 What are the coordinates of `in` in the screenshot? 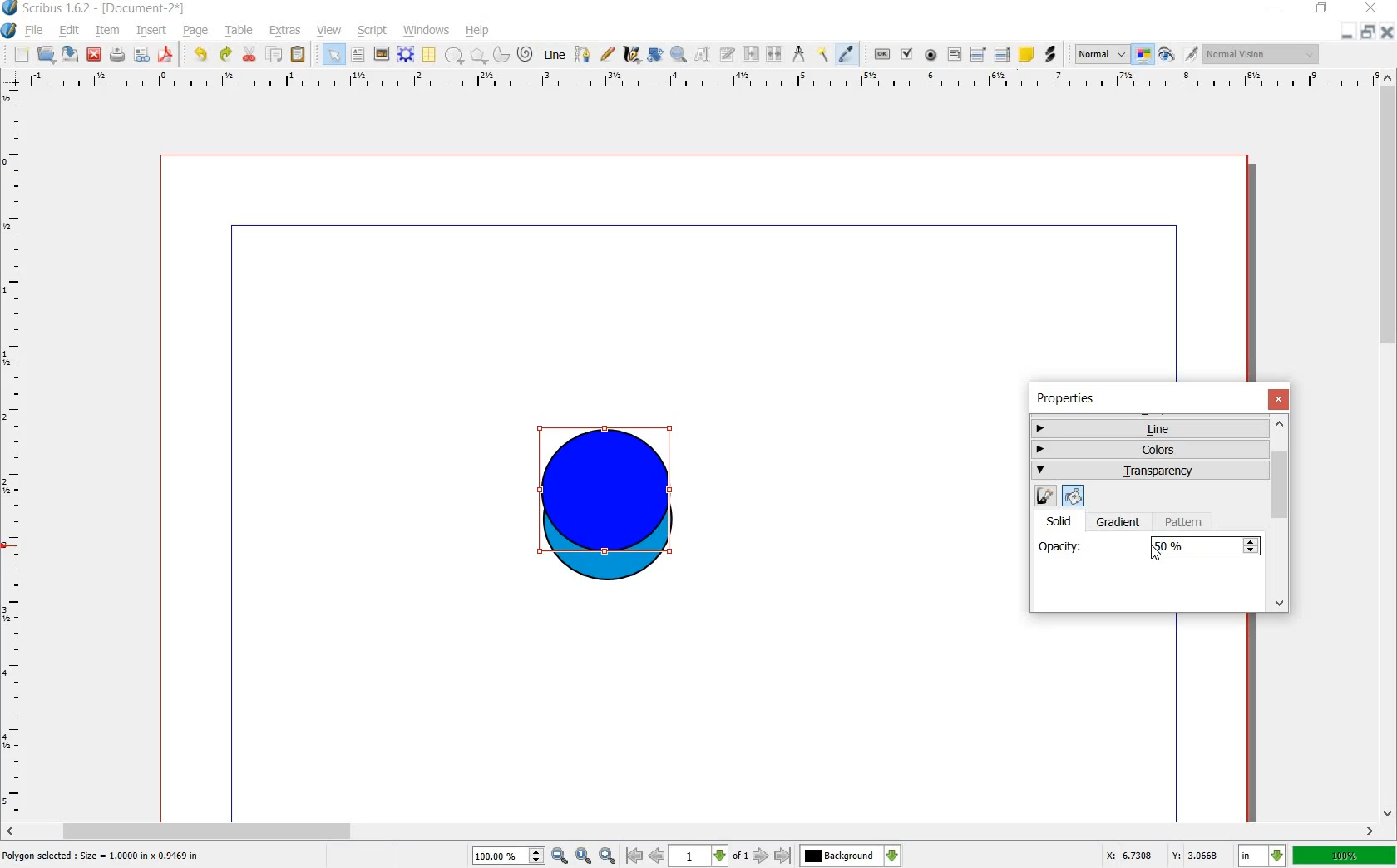 It's located at (1261, 856).